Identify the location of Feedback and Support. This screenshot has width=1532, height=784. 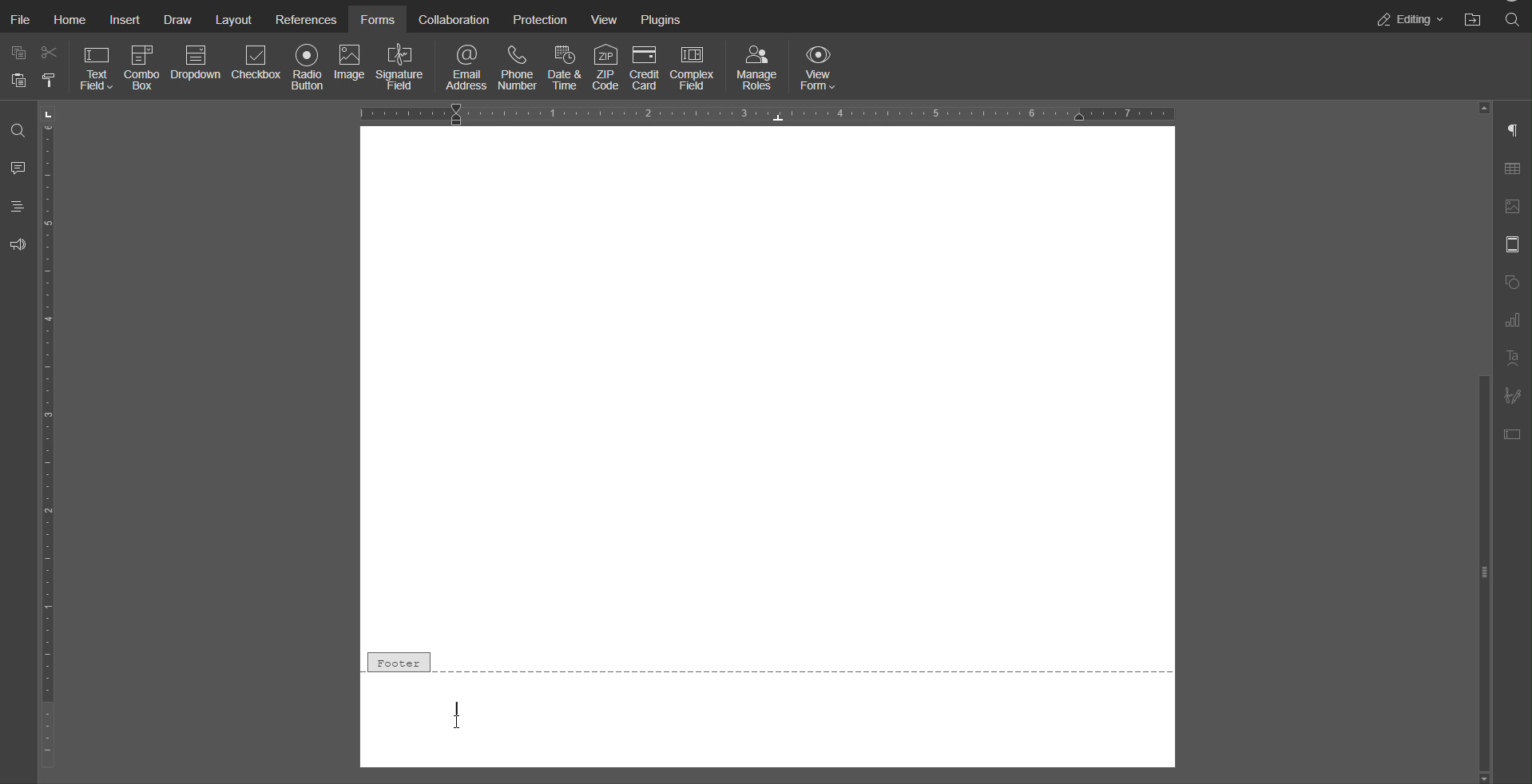
(18, 245).